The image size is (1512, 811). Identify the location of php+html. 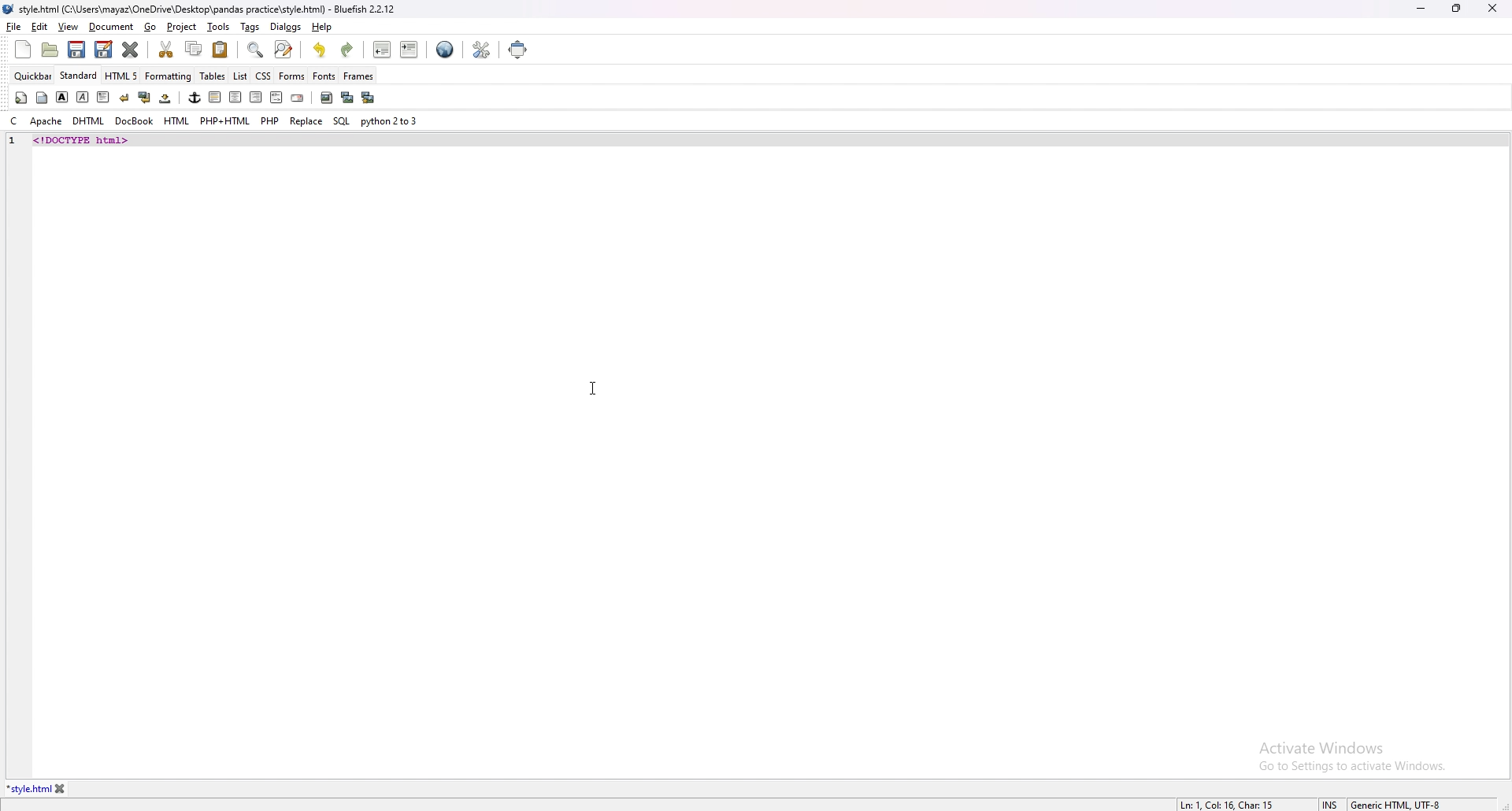
(225, 121).